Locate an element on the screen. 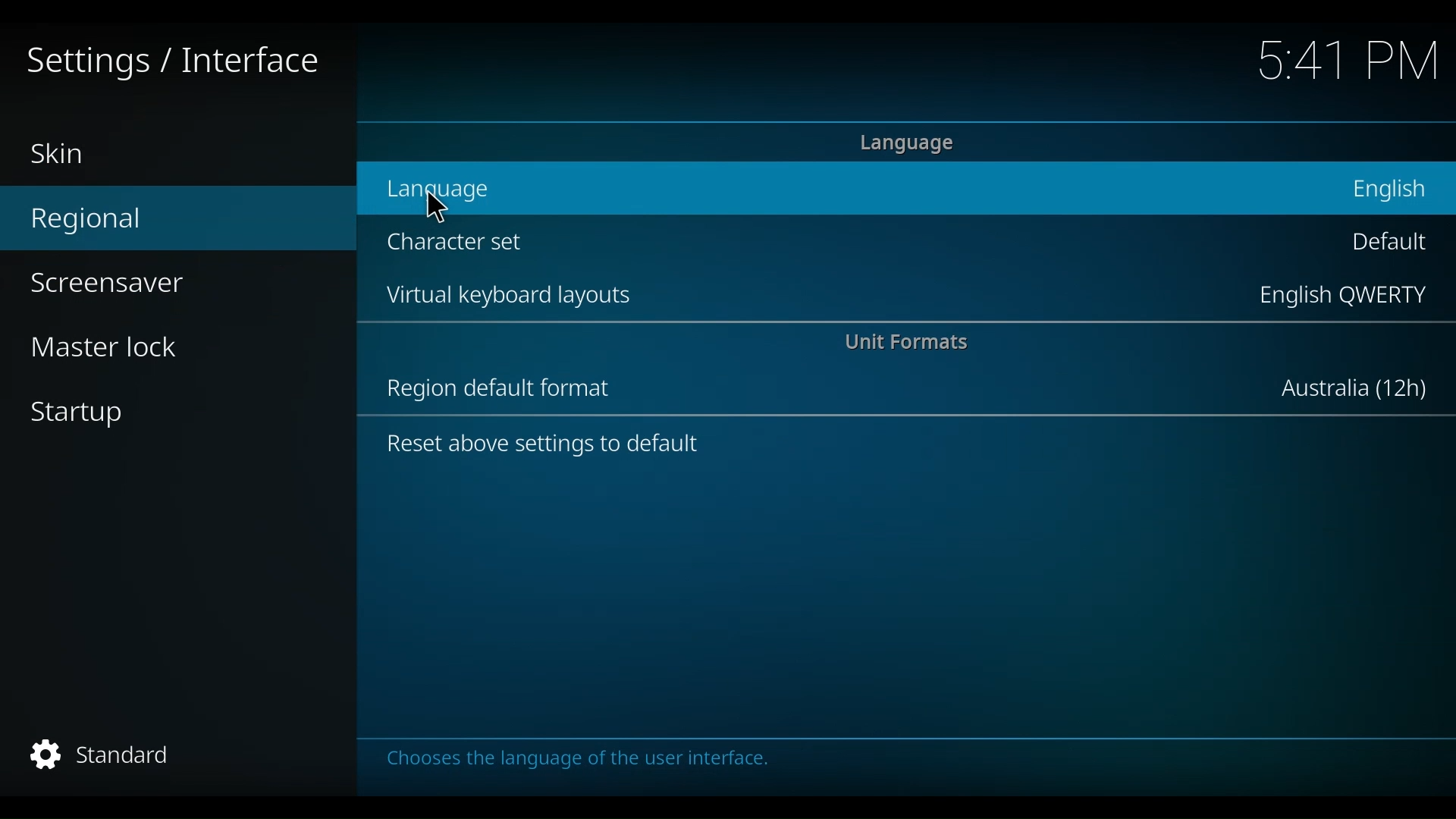 This screenshot has width=1456, height=819. language is located at coordinates (431, 205).